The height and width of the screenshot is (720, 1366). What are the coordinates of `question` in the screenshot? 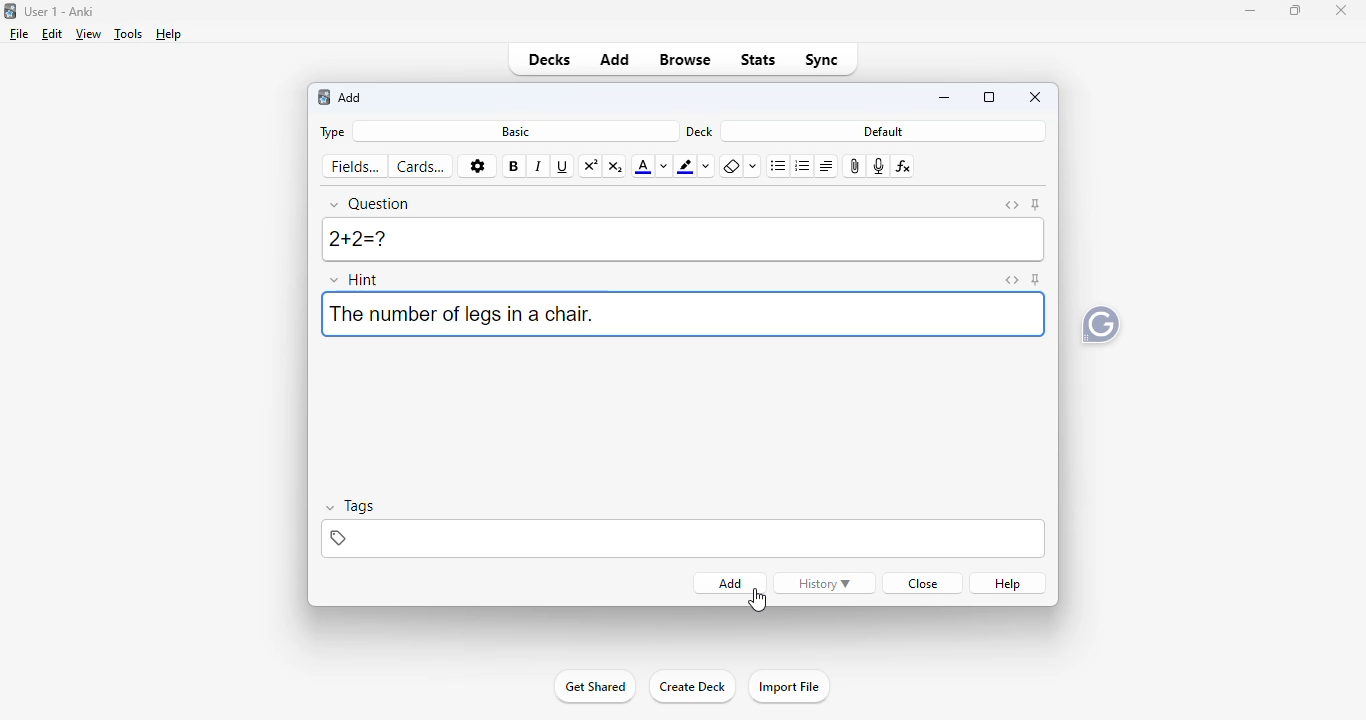 It's located at (370, 204).